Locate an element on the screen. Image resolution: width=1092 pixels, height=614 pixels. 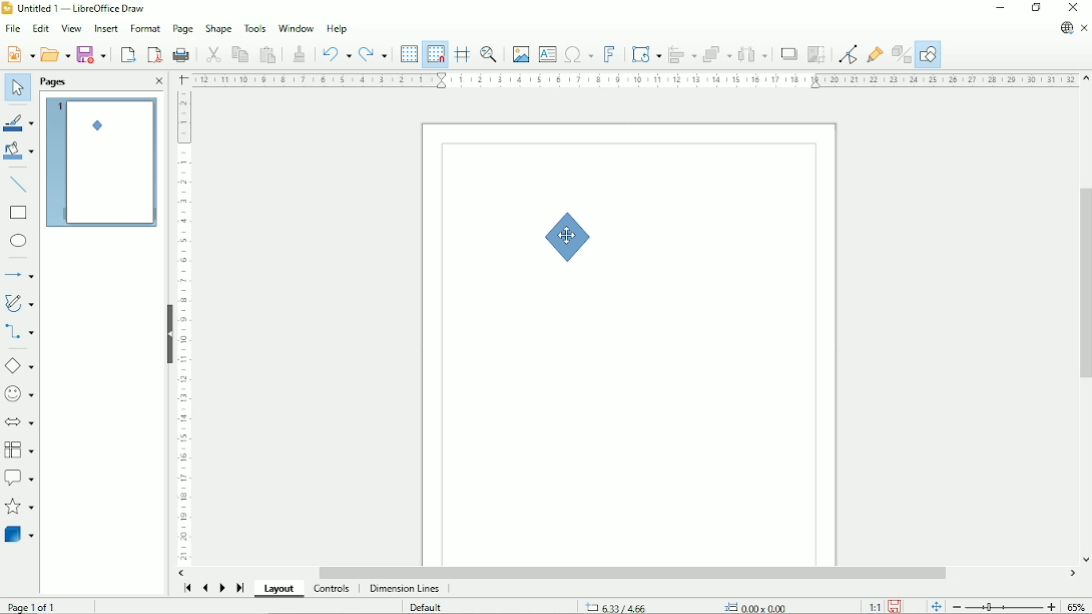
Update available is located at coordinates (1065, 28).